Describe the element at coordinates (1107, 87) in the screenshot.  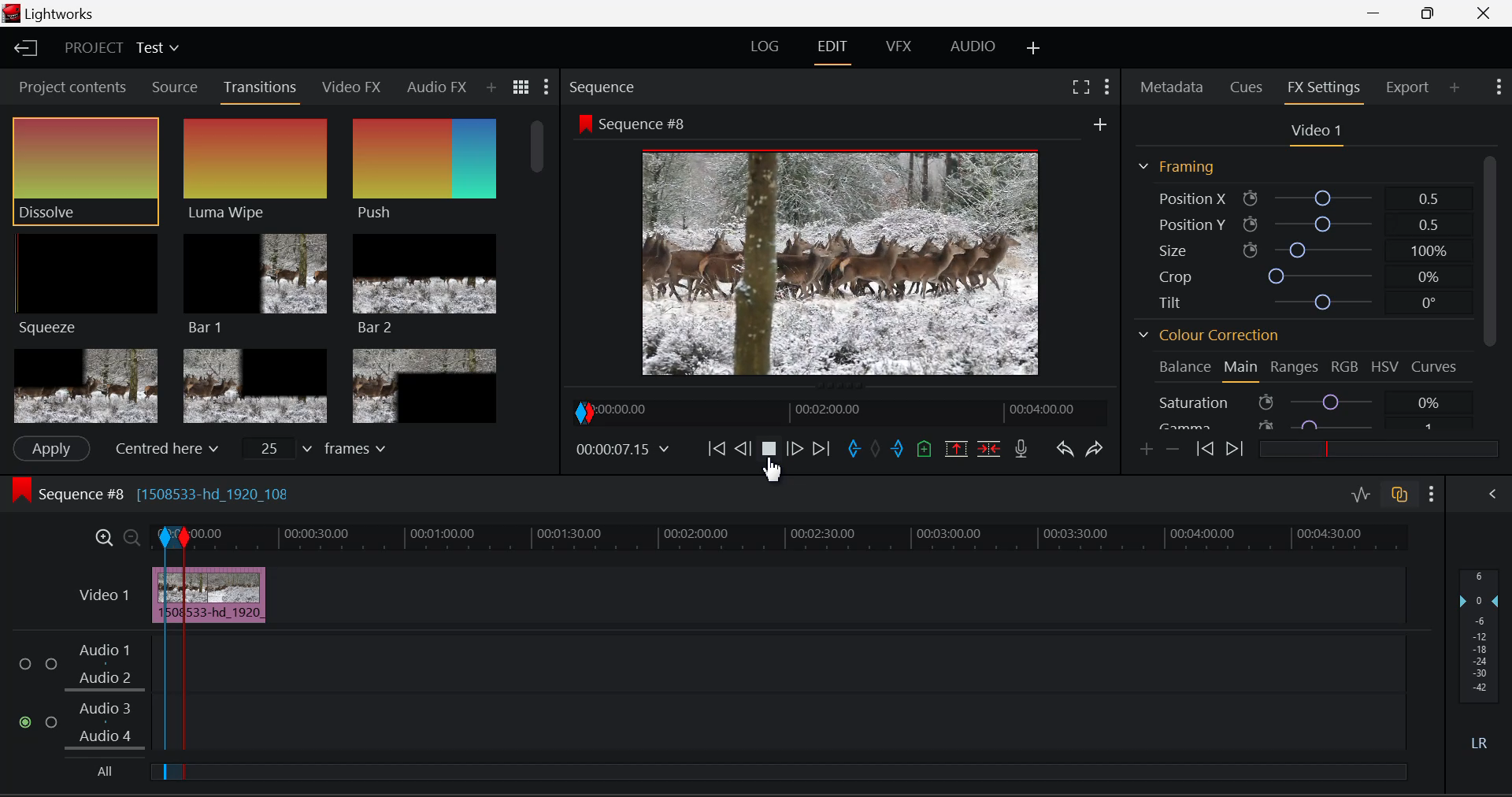
I see `Show Settings` at that location.